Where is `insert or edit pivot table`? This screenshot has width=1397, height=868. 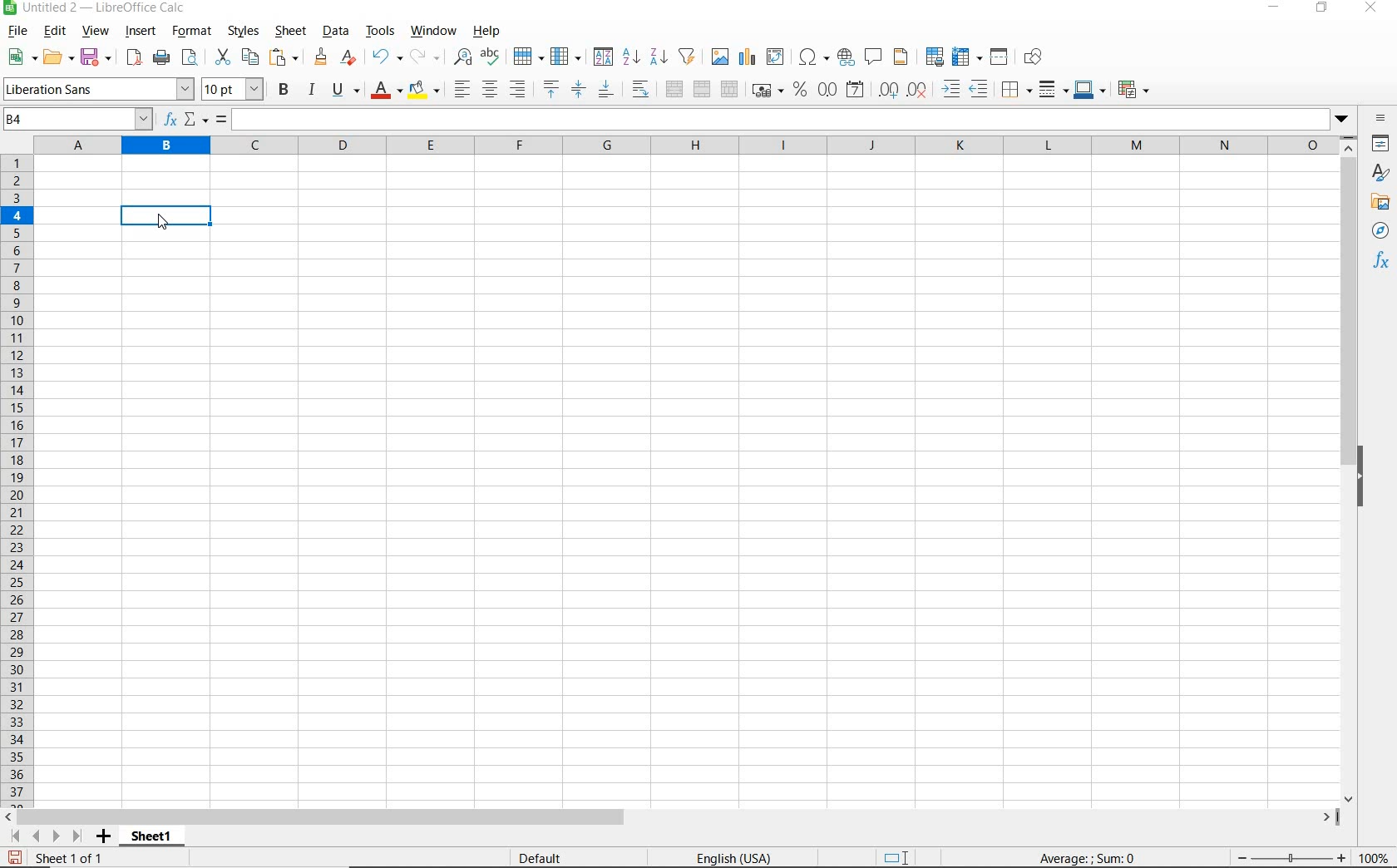 insert or edit pivot table is located at coordinates (777, 57).